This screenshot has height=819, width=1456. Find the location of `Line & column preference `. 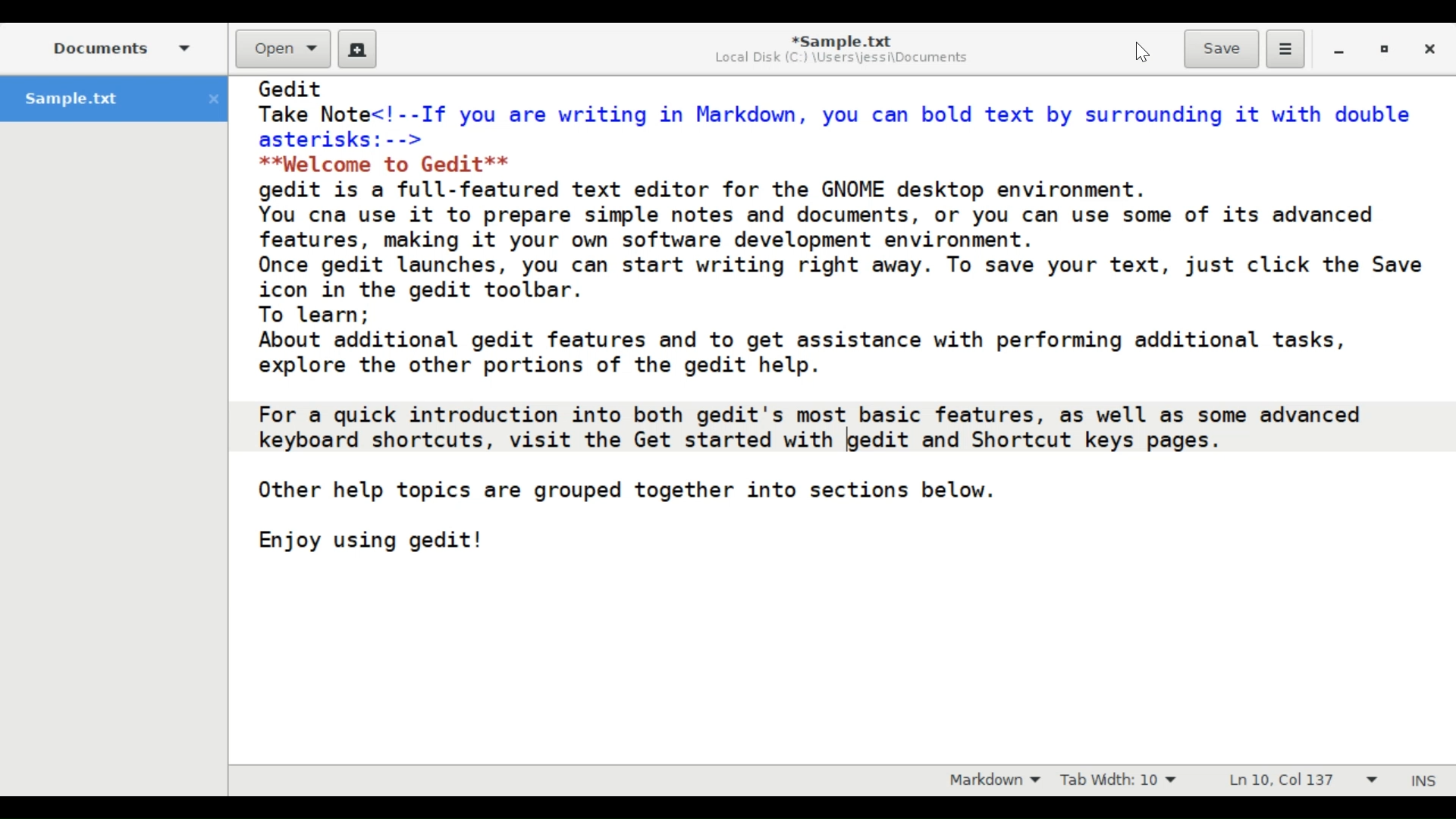

Line & column preference  is located at coordinates (1304, 780).